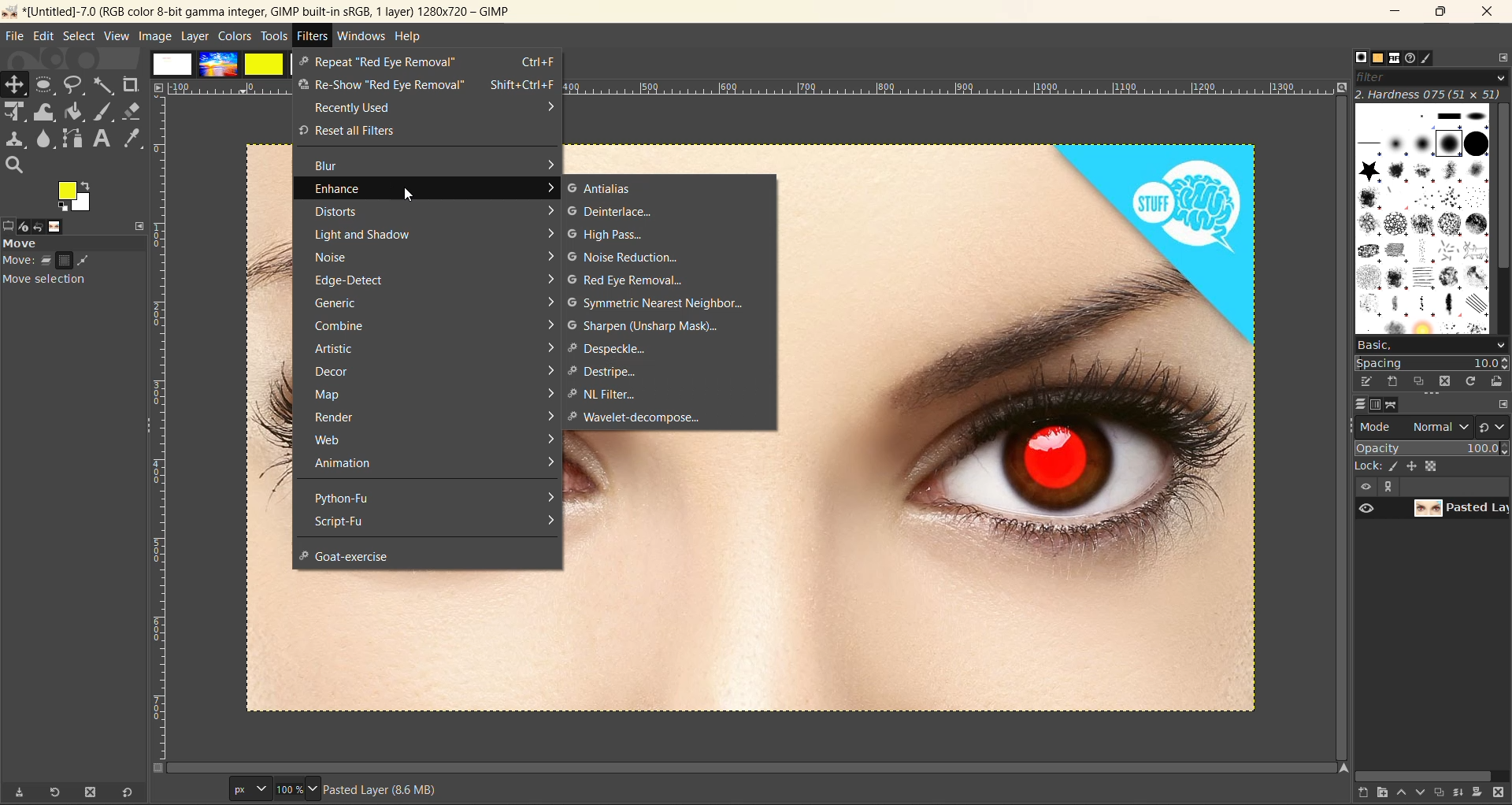 The image size is (1512, 805). I want to click on enhance, so click(435, 188).